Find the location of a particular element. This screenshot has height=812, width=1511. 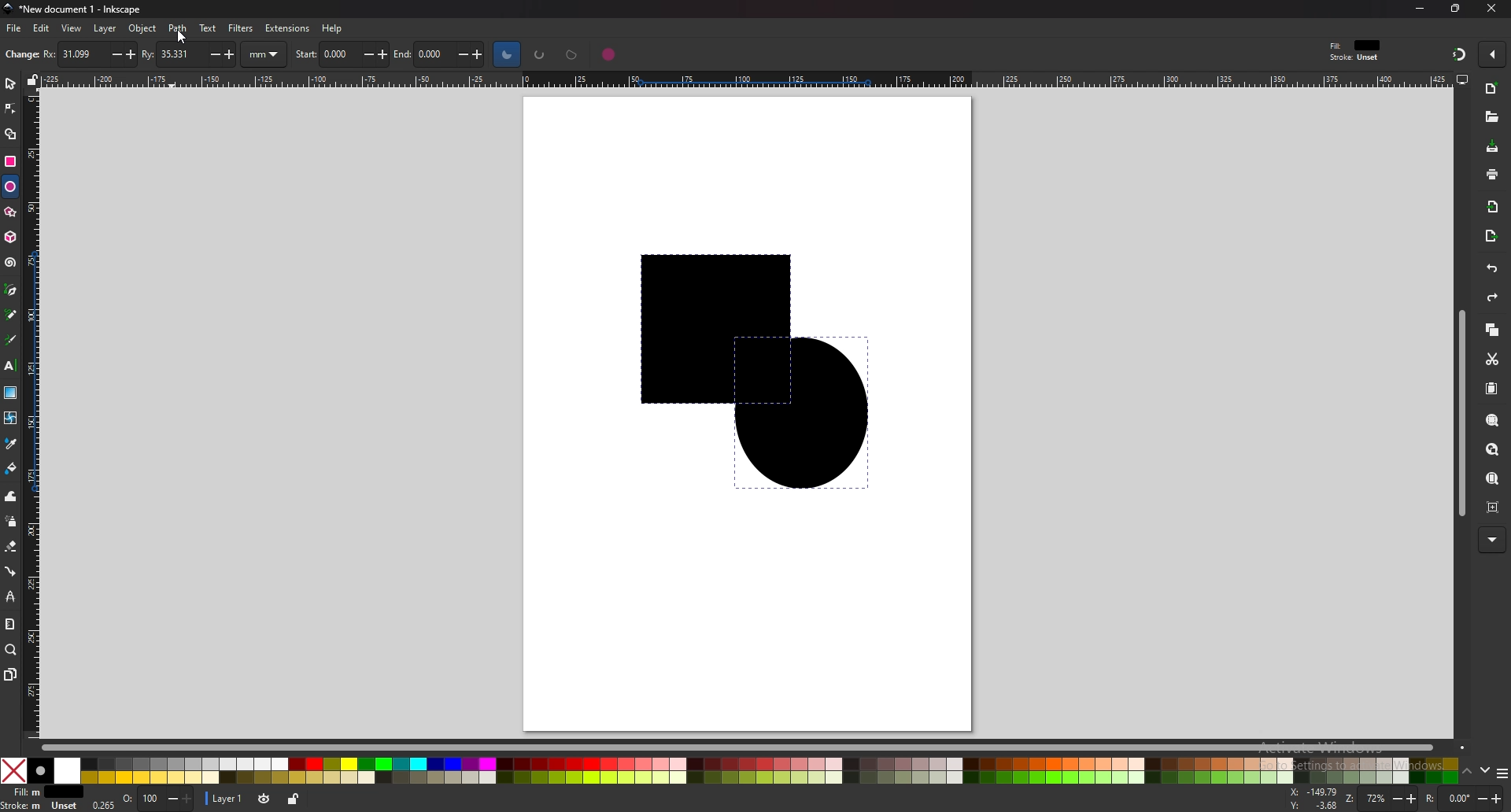

shapes is located at coordinates (737, 372).